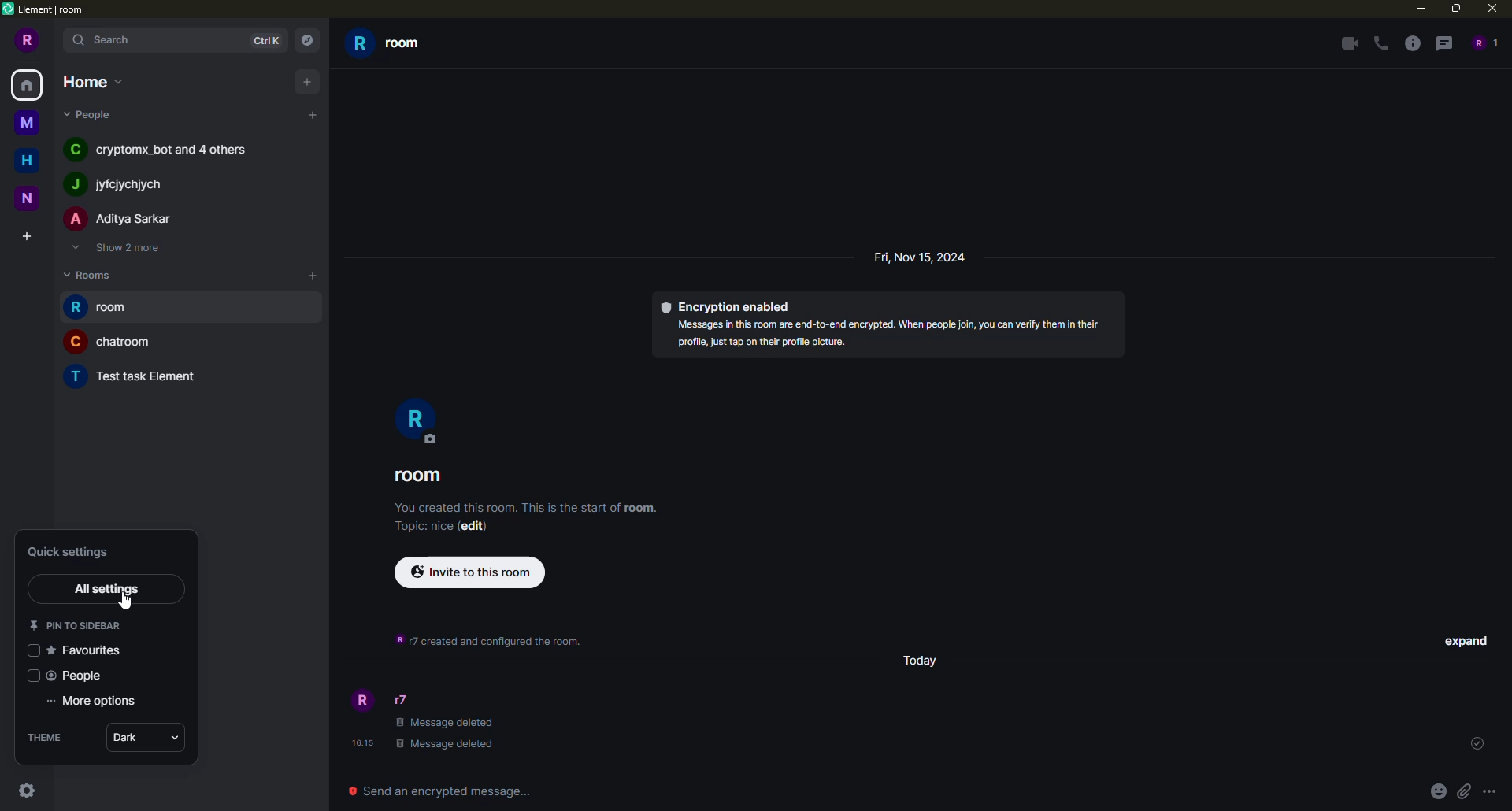  I want to click on people, so click(78, 676).